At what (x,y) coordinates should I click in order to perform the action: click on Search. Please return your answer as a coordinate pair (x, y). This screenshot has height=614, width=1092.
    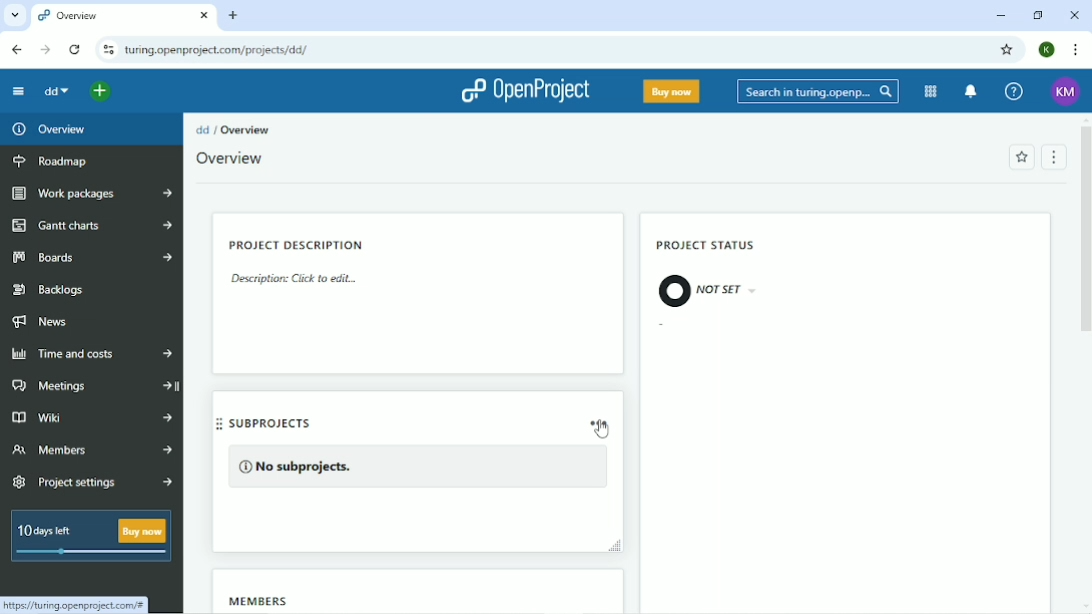
    Looking at the image, I should click on (818, 93).